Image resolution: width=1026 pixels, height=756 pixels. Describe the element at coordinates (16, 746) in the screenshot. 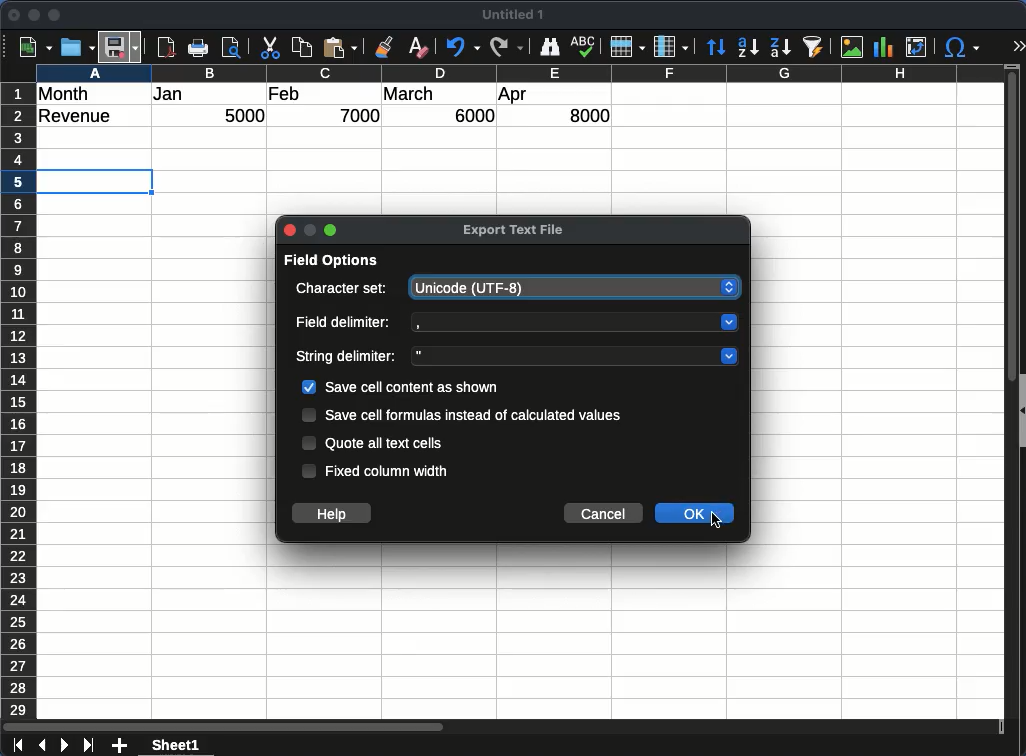

I see `first sheet` at that location.